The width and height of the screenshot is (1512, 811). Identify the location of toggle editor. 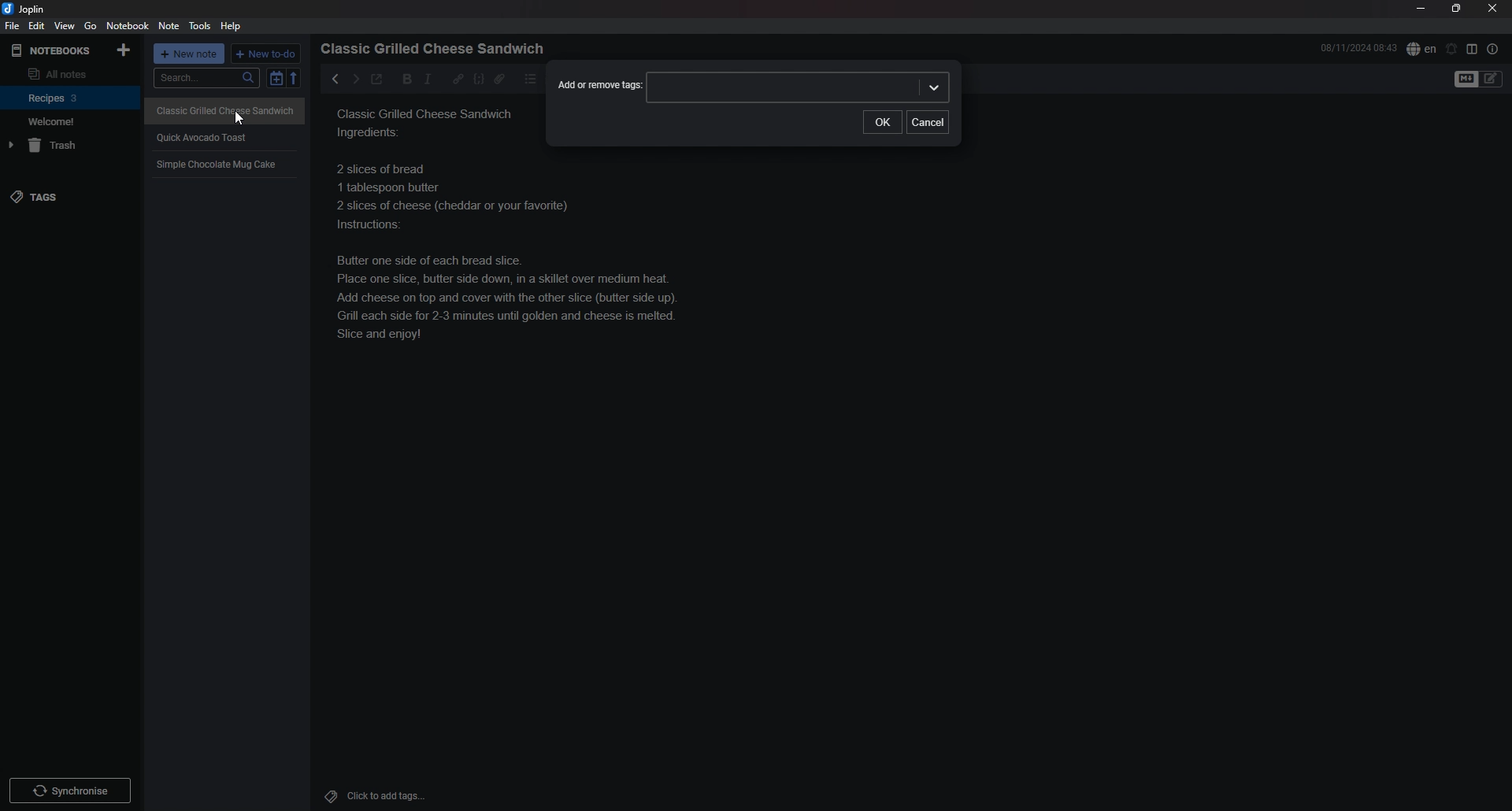
(1479, 80).